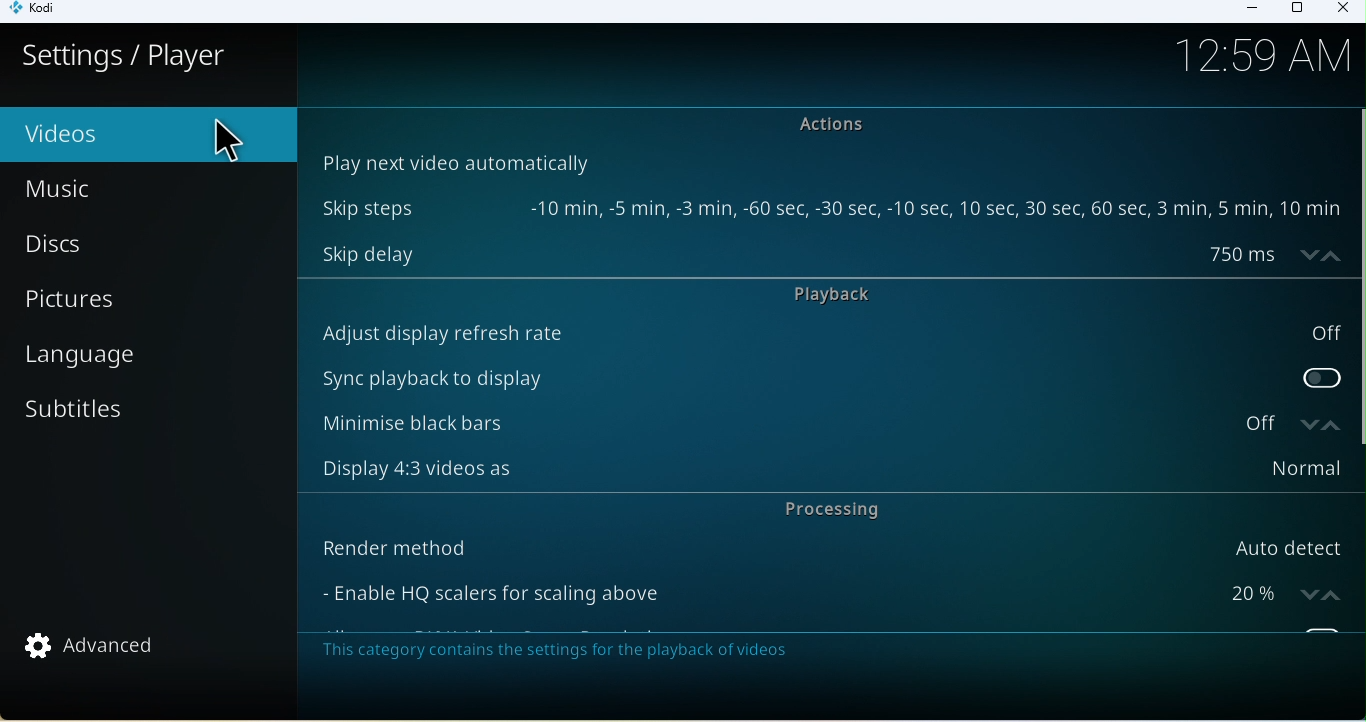 The width and height of the screenshot is (1366, 722). Describe the element at coordinates (1316, 423) in the screenshot. I see `increase/decrease` at that location.